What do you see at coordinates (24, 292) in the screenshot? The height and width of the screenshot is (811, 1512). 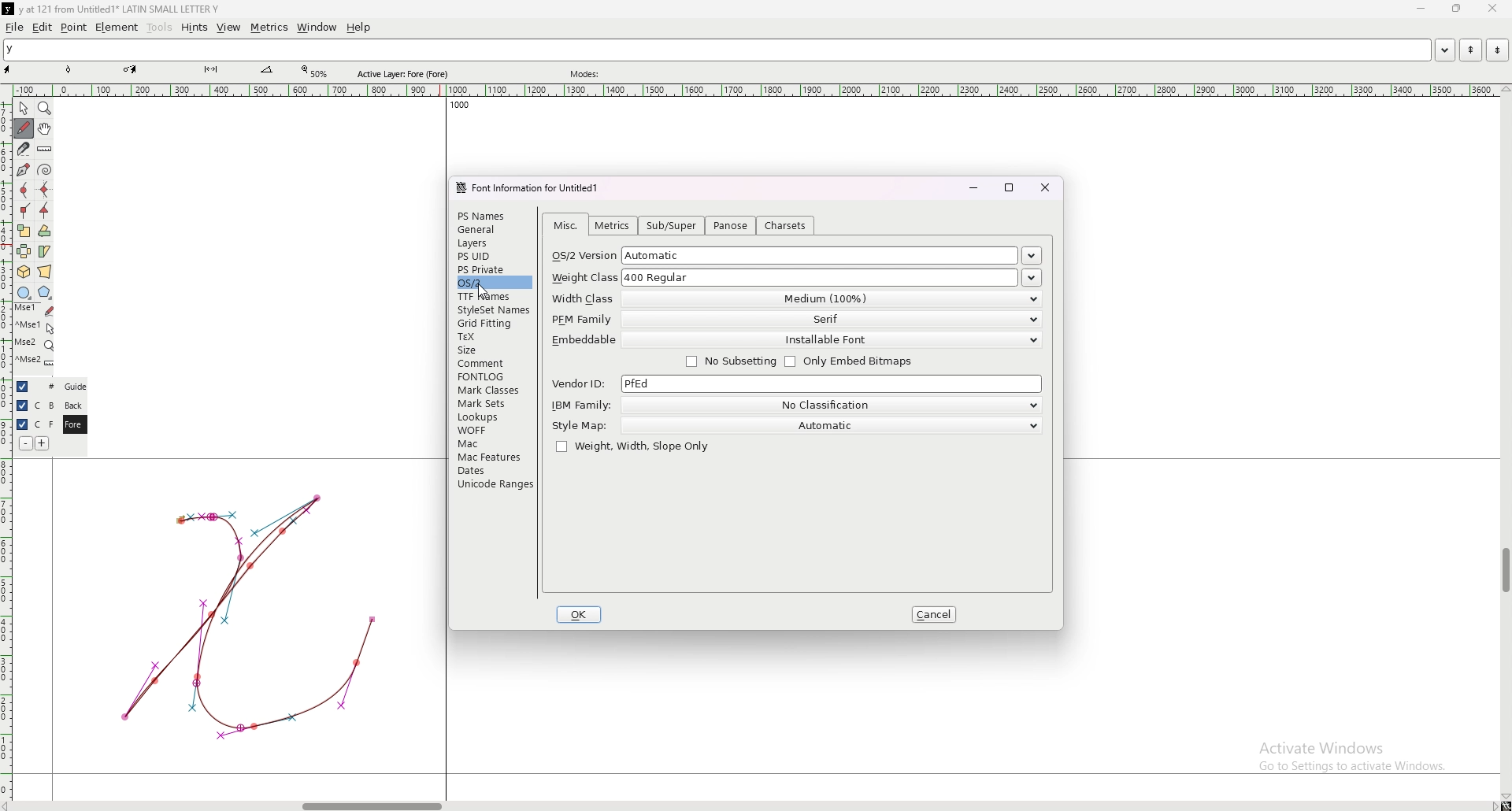 I see `circle or ellipse` at bounding box center [24, 292].